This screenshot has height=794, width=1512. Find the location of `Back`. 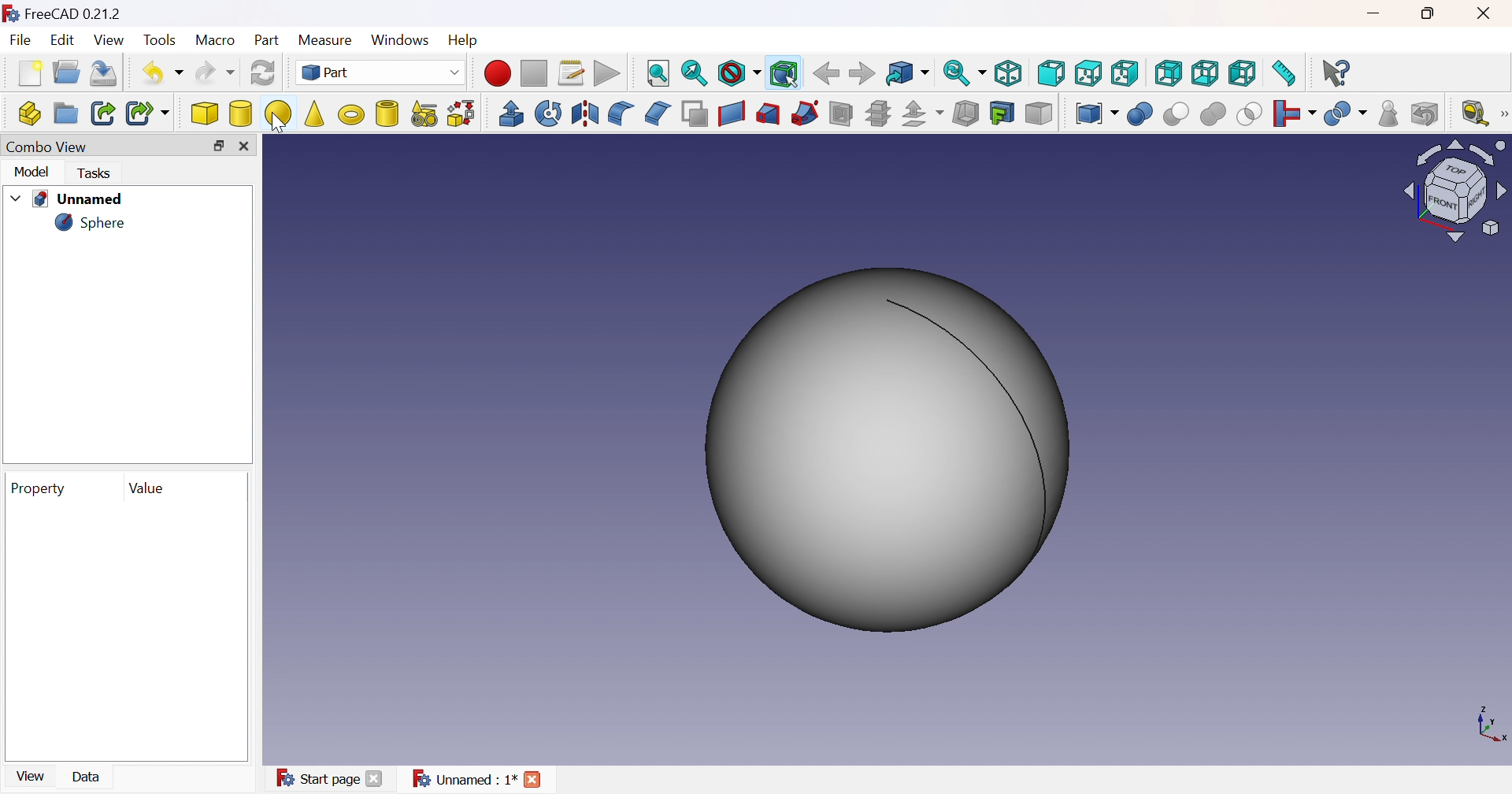

Back is located at coordinates (826, 75).